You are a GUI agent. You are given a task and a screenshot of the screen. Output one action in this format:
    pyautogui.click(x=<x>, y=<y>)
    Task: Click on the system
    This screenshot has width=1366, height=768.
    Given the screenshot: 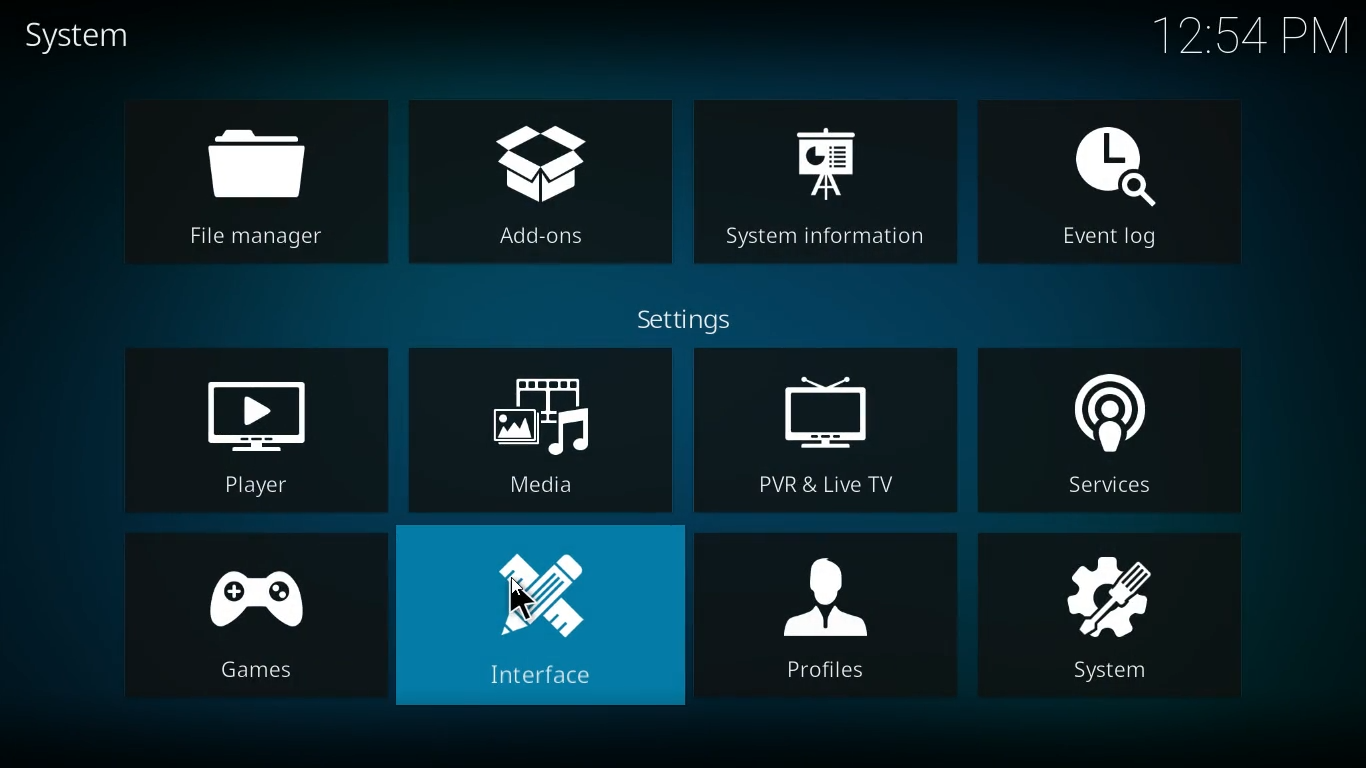 What is the action you would take?
    pyautogui.click(x=99, y=38)
    